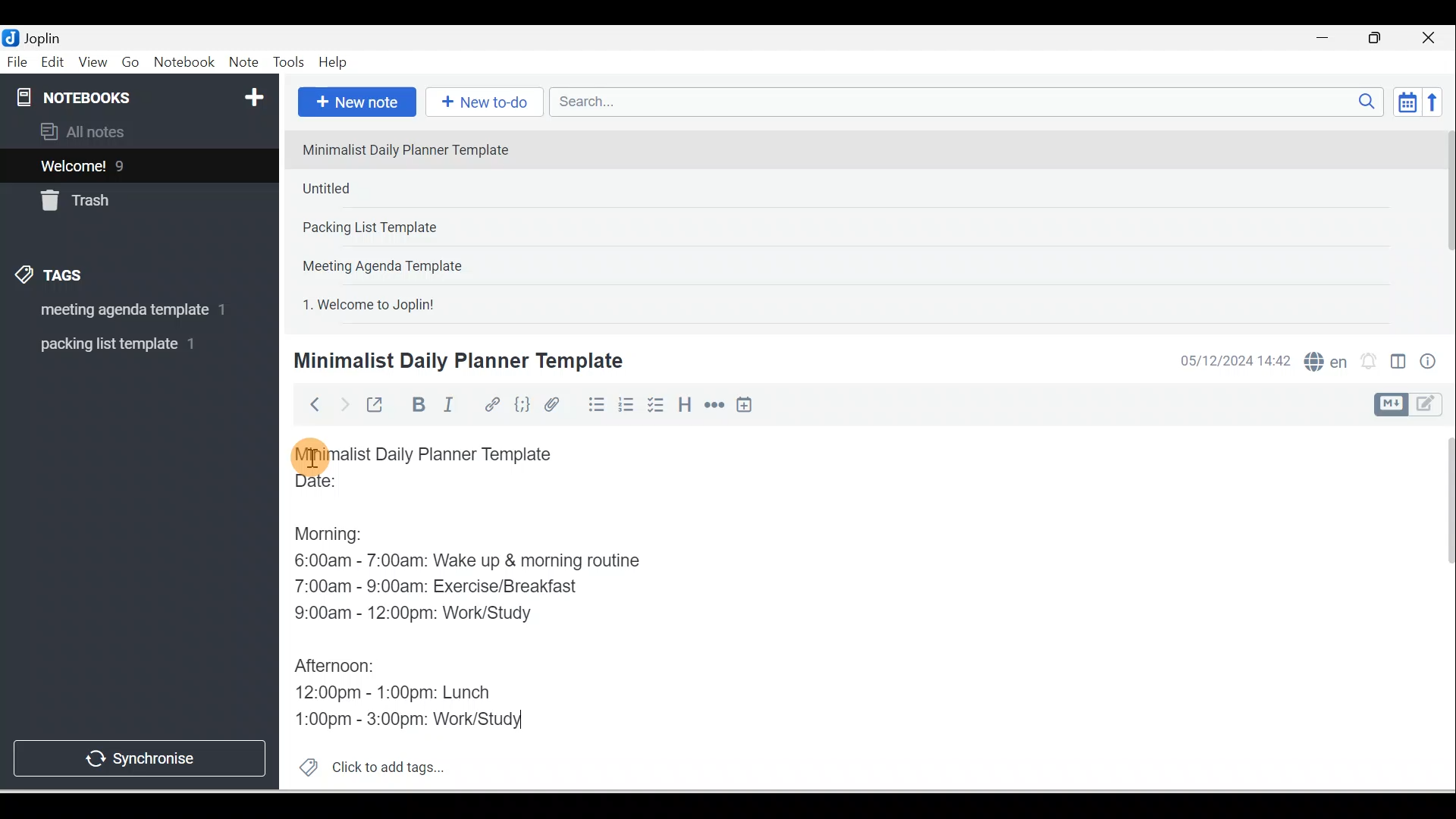  I want to click on Minimise, so click(1327, 39).